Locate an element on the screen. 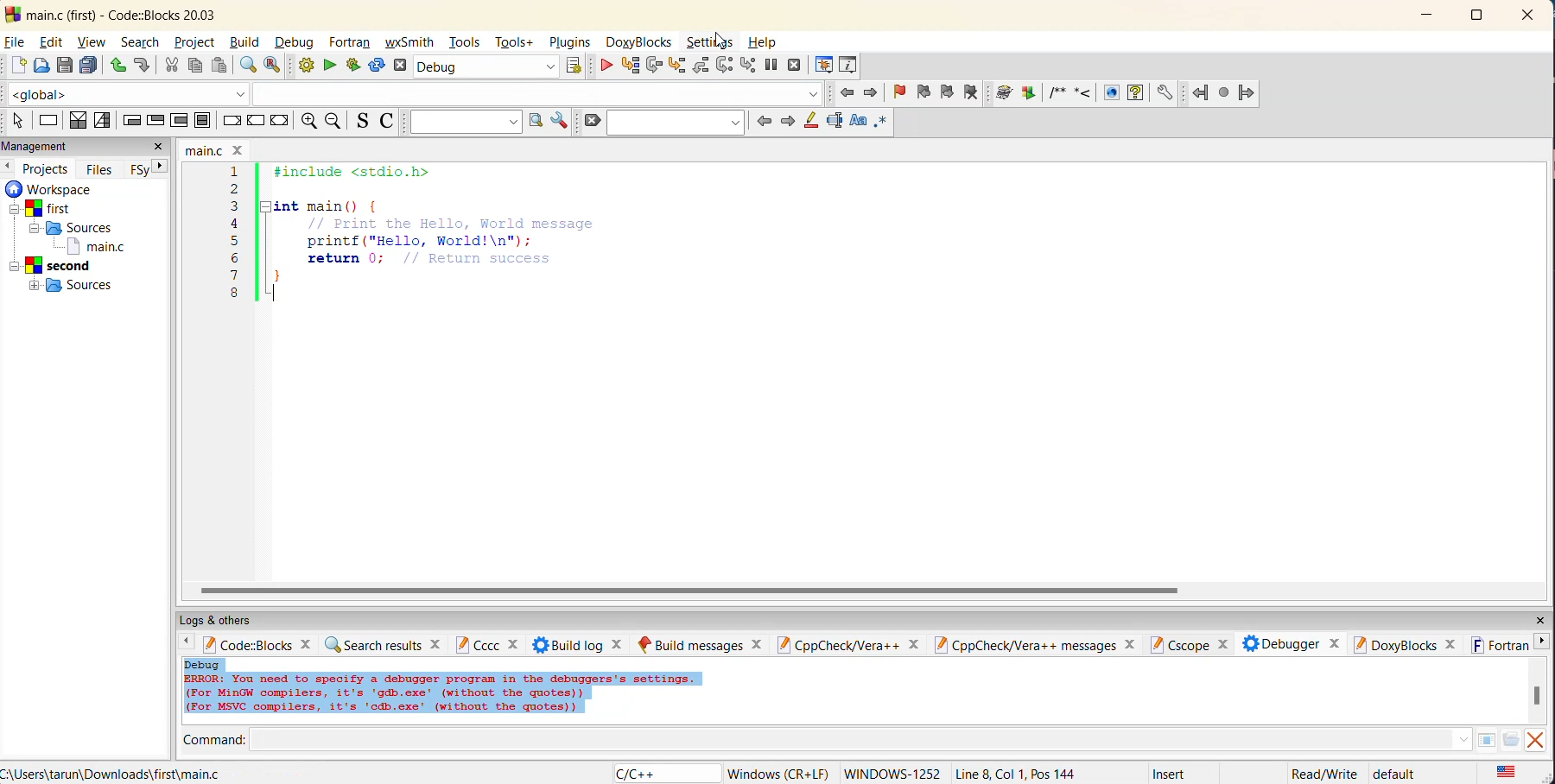 This screenshot has height=784, width=1555. select is located at coordinates (18, 122).